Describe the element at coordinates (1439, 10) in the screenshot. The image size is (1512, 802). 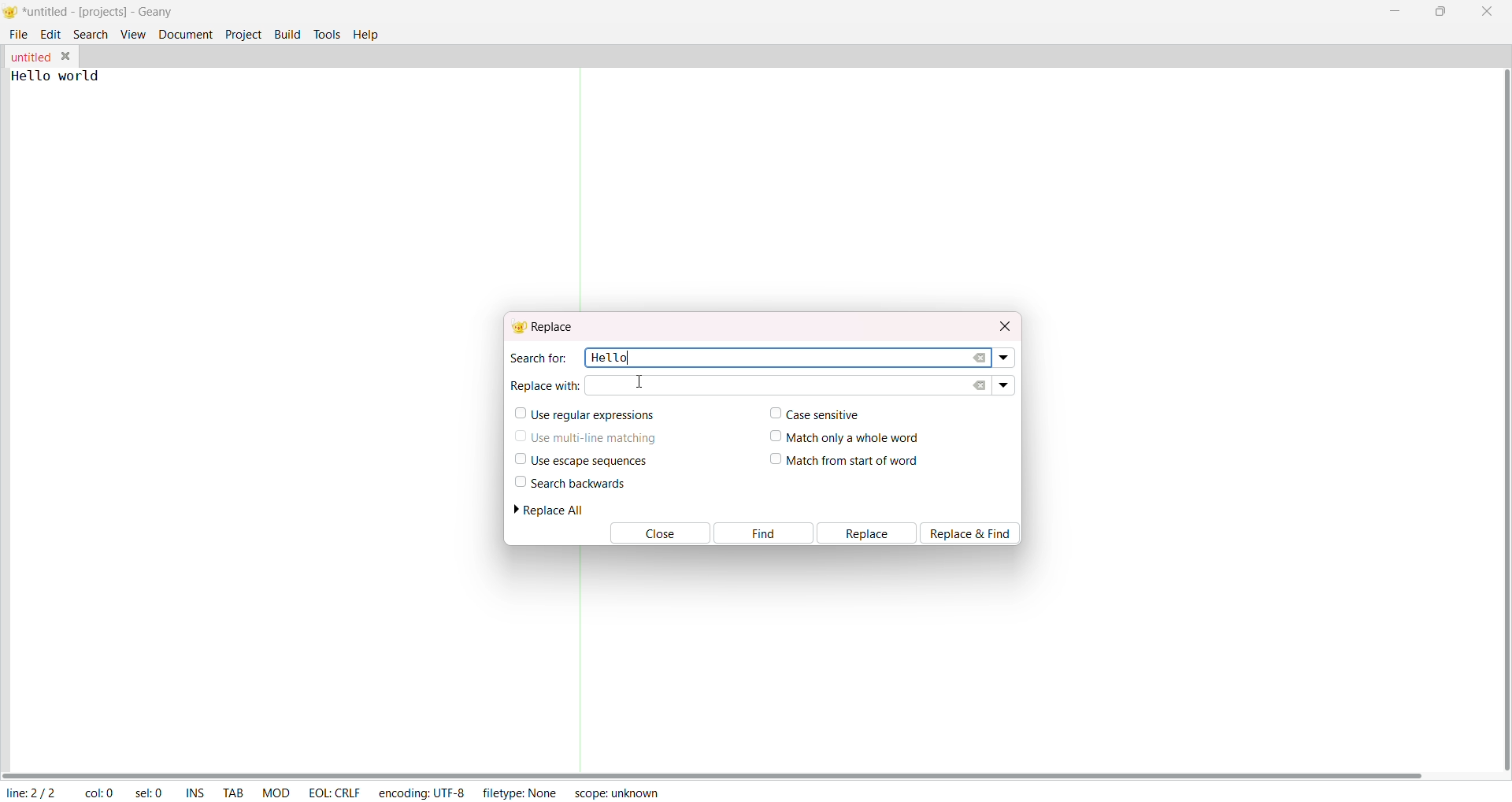
I see `maximize` at that location.